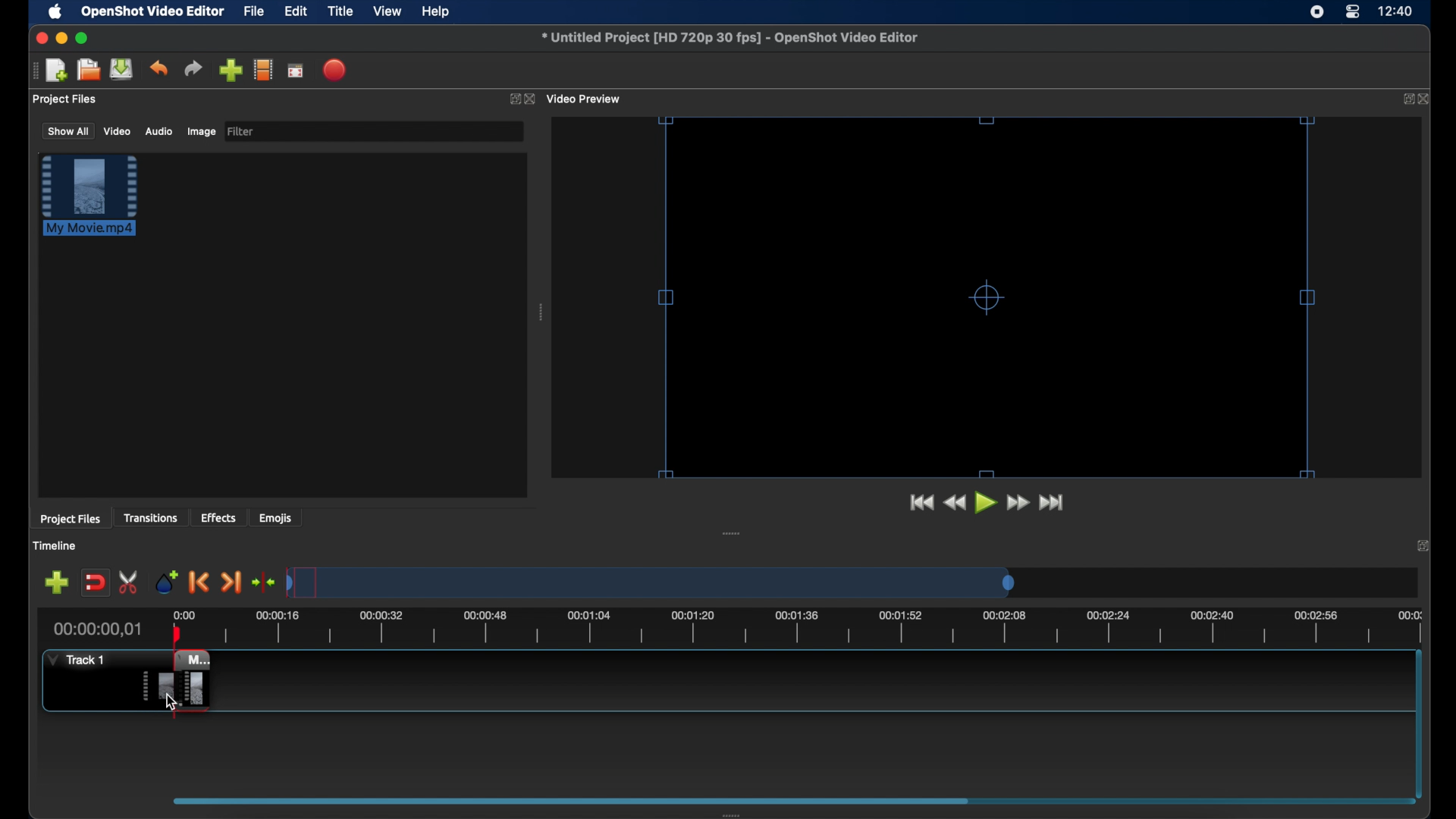  Describe the element at coordinates (511, 101) in the screenshot. I see `expand` at that location.